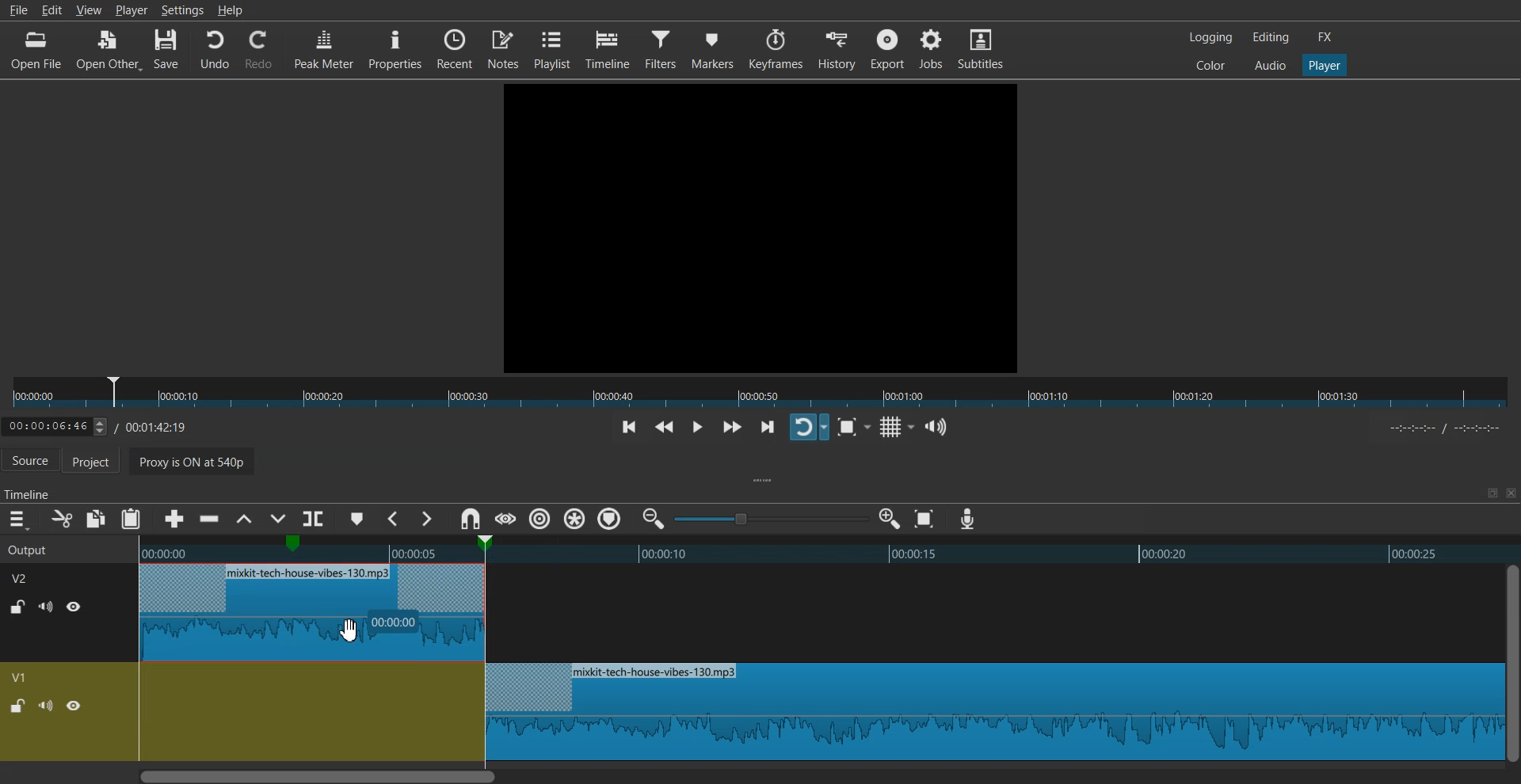 This screenshot has width=1521, height=784. Describe the element at coordinates (1270, 64) in the screenshot. I see `Audio` at that location.